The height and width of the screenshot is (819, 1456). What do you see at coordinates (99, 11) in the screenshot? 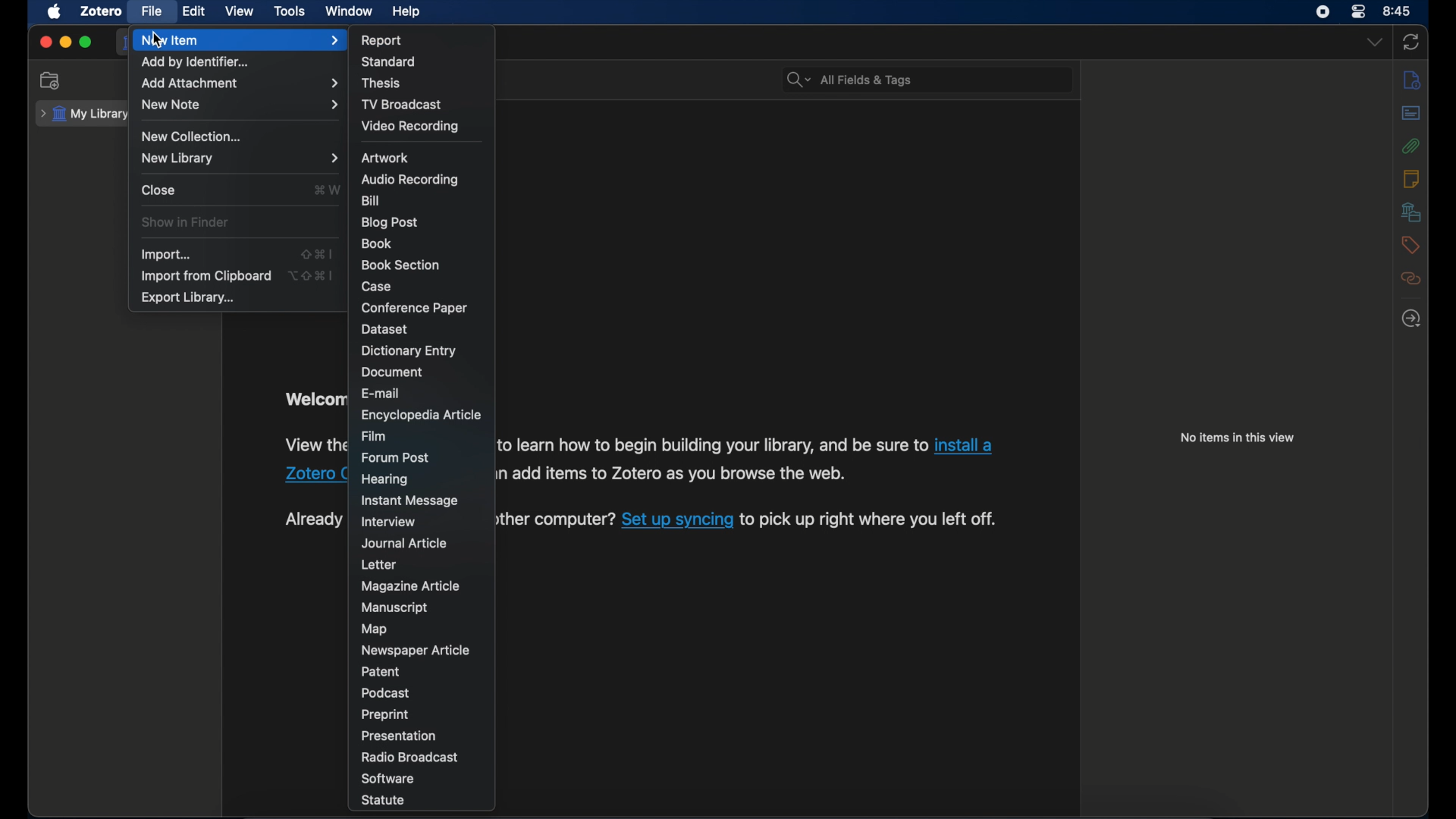
I see `zotero` at bounding box center [99, 11].